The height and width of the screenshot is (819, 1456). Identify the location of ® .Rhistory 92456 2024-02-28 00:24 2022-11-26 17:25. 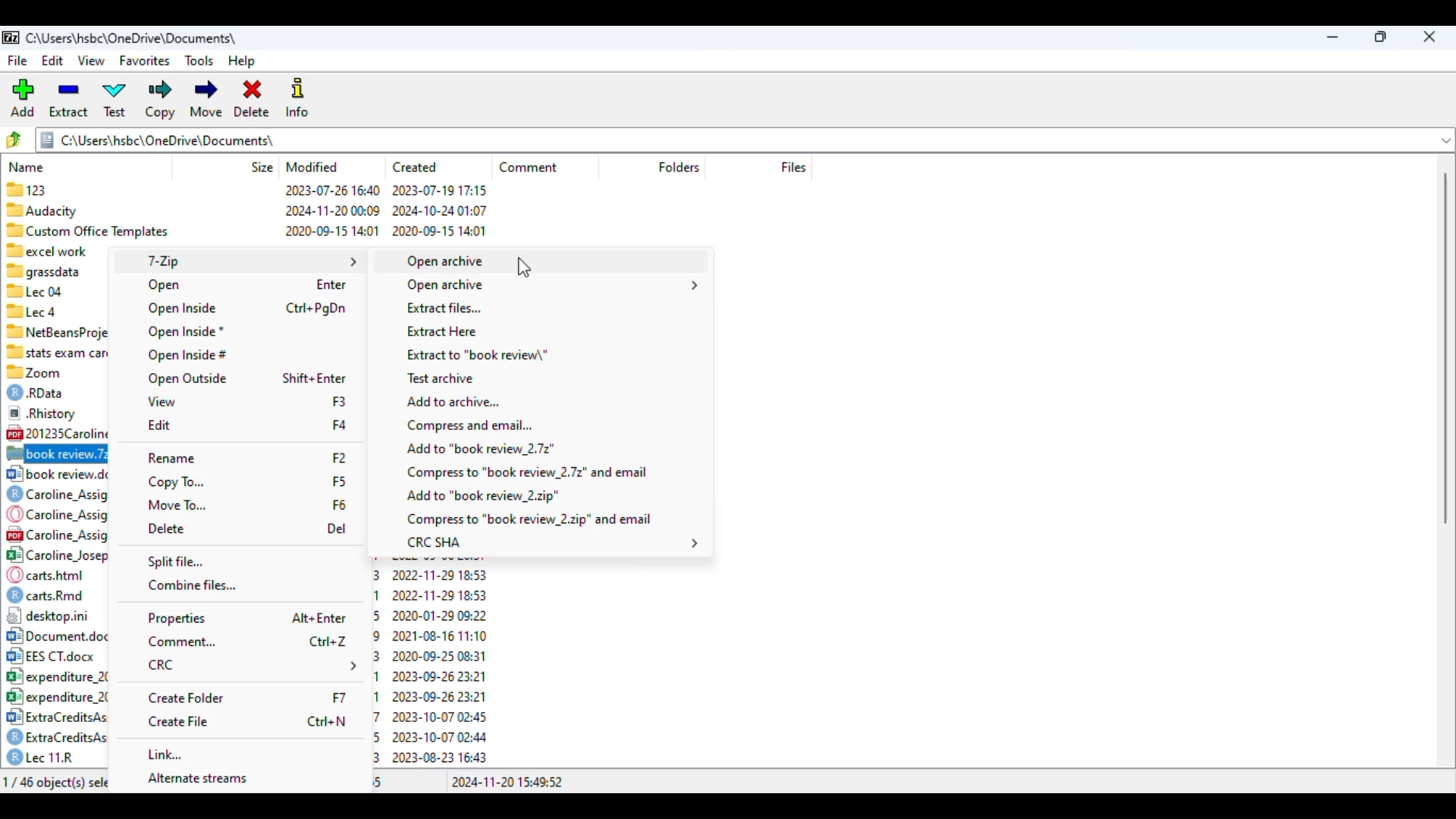
(55, 412).